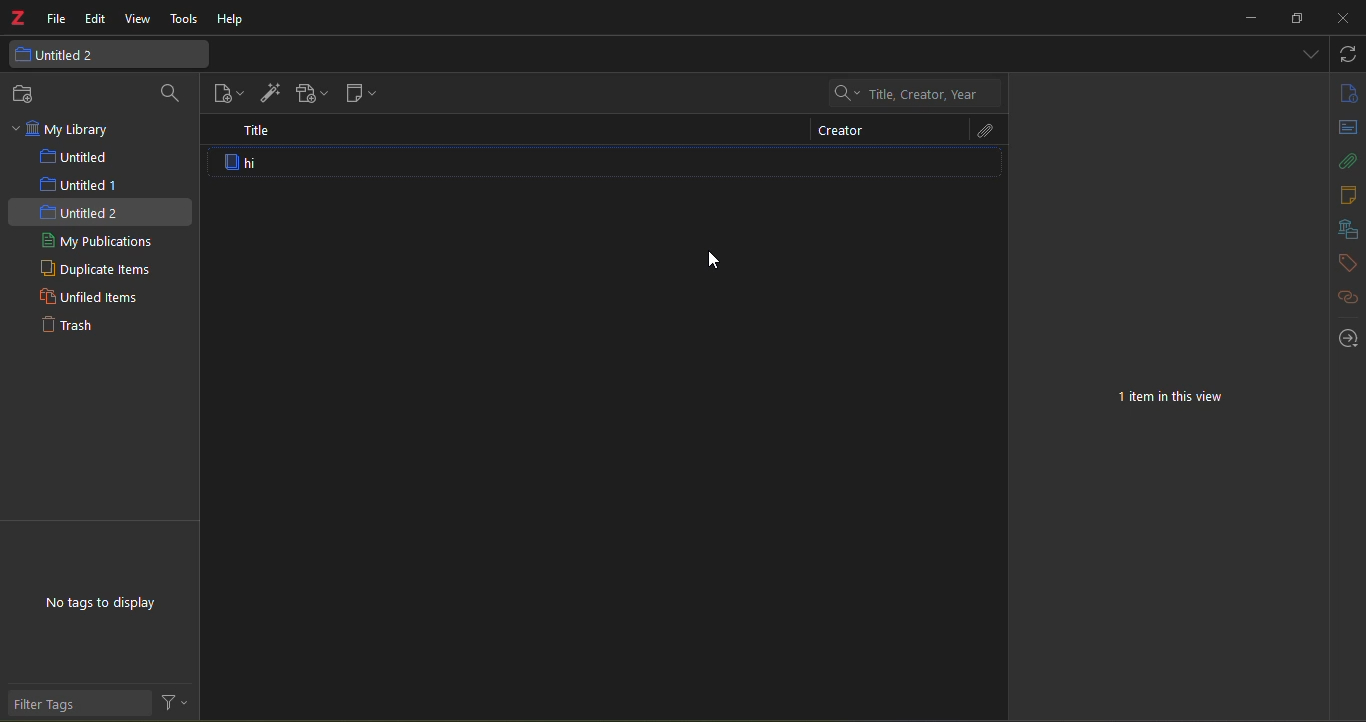 This screenshot has width=1366, height=722. I want to click on tags, so click(1345, 263).